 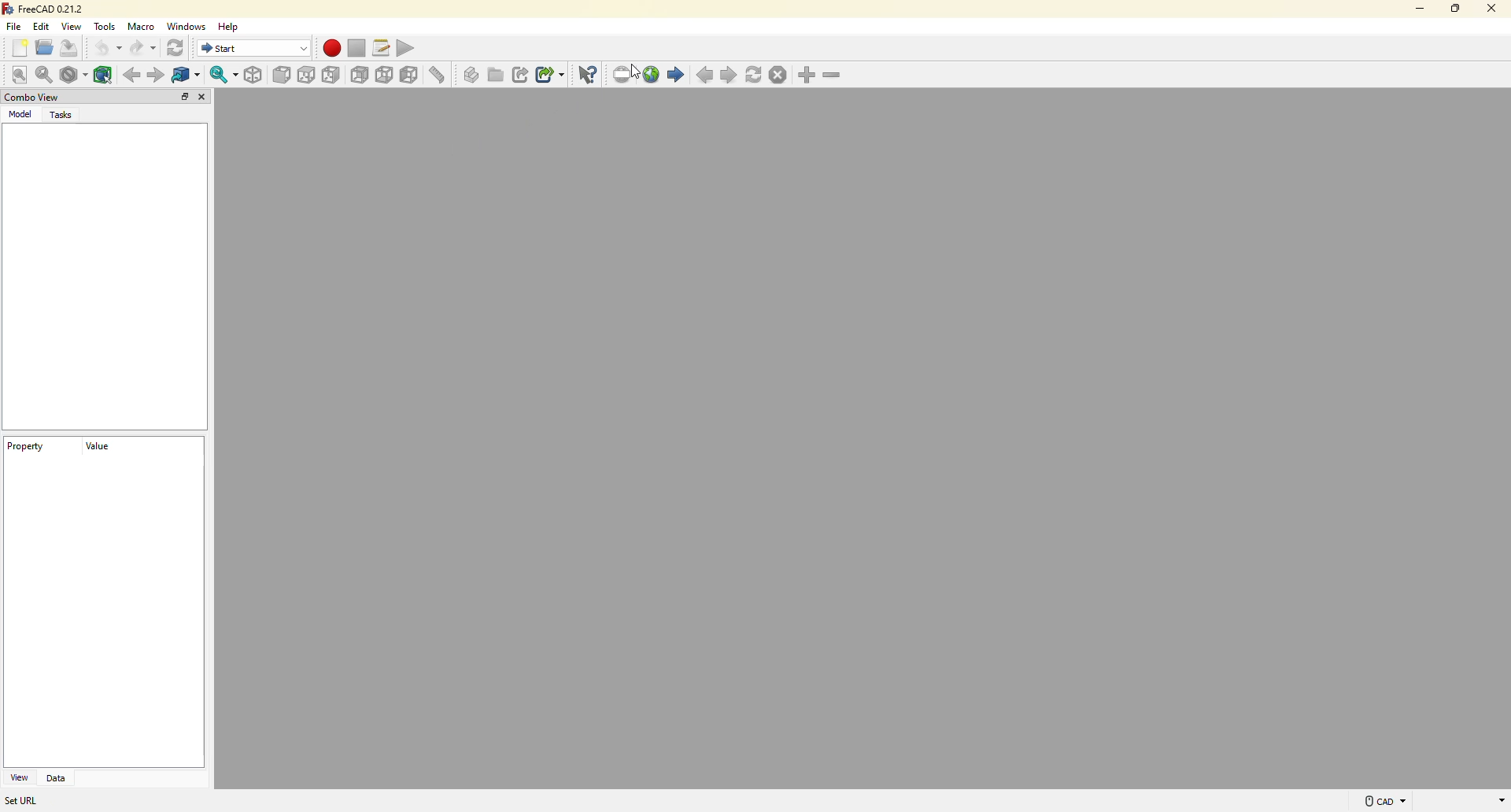 I want to click on switch between workbenches, so click(x=254, y=48).